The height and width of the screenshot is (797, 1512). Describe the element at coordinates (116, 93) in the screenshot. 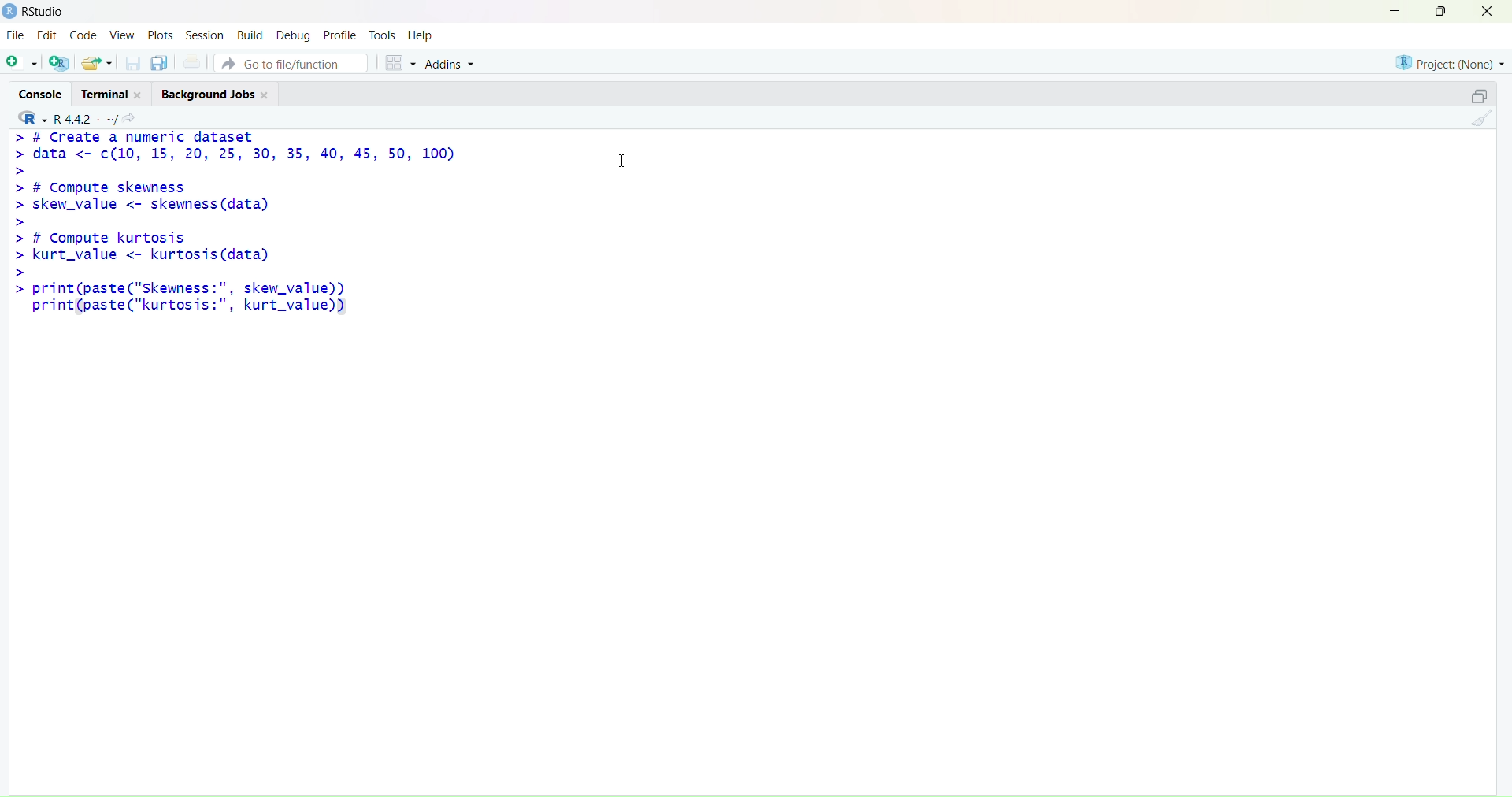

I see `Terminal` at that location.